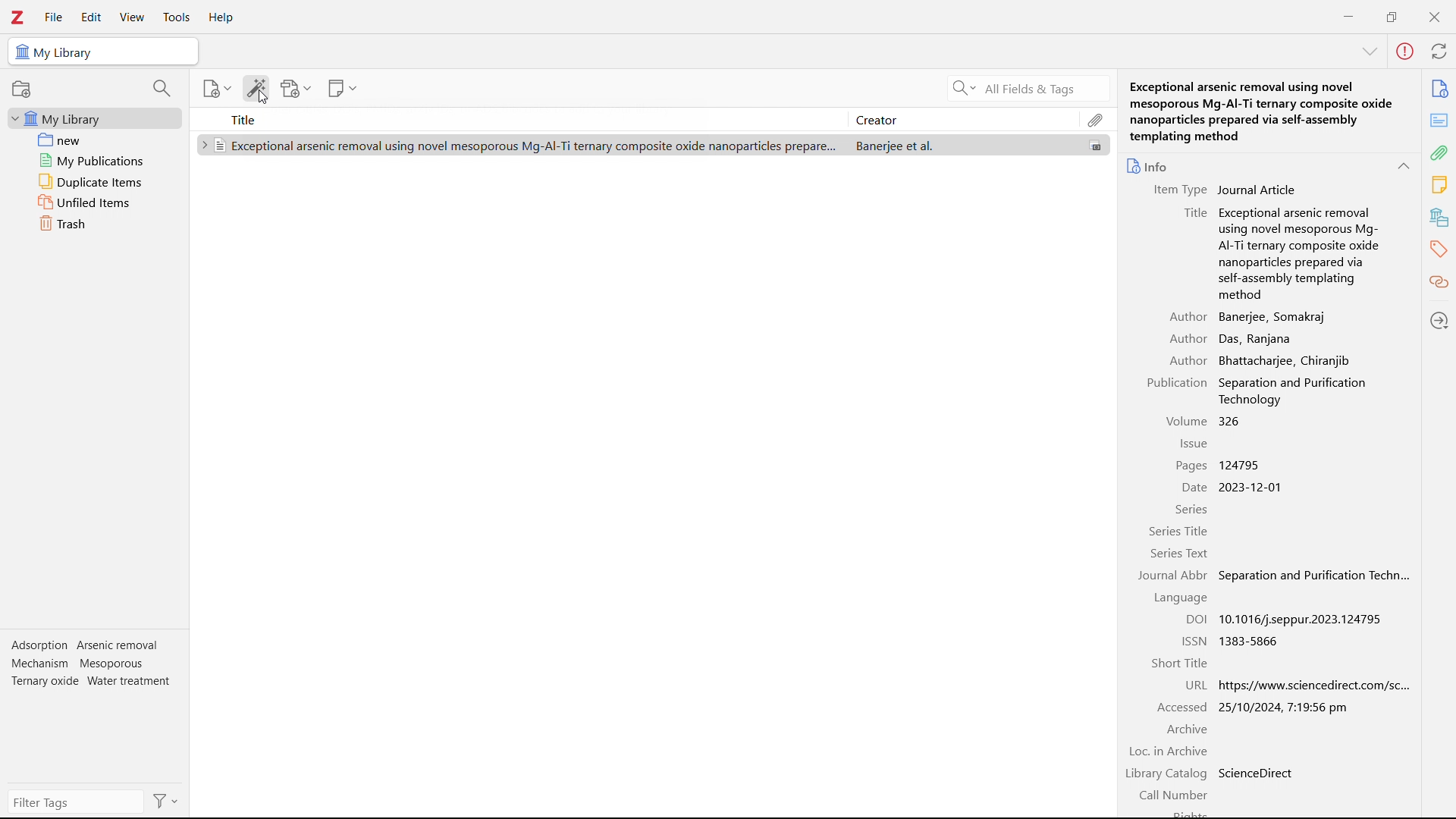  What do you see at coordinates (1270, 111) in the screenshot?
I see `Exceptional arsenic removal using novel Mesoporous Mg-Al-Ti ternary composite oxides nanoparticles prepared via Self-Assembly templating method` at bounding box center [1270, 111].